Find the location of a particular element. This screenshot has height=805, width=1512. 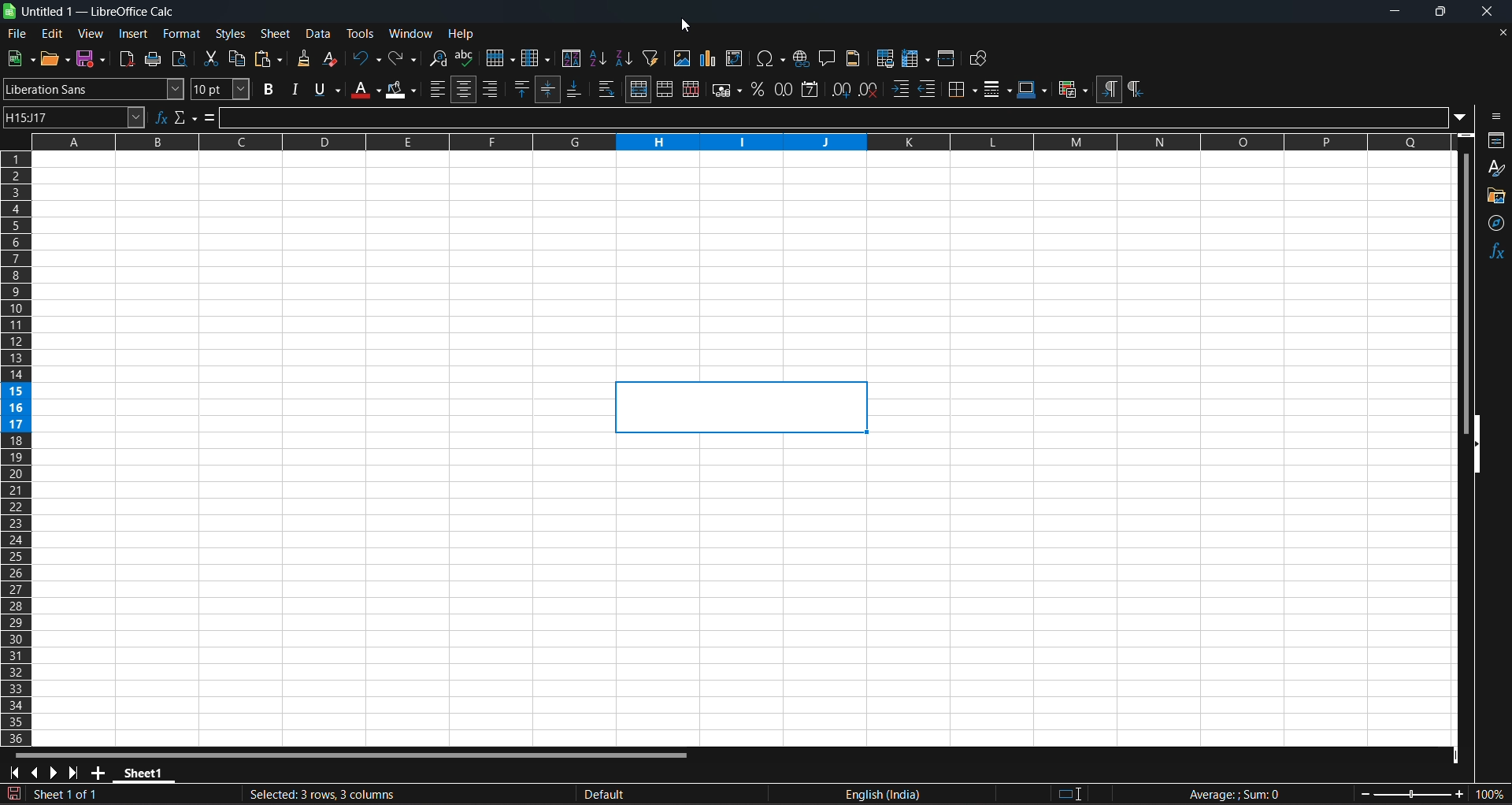

border color is located at coordinates (1034, 89).